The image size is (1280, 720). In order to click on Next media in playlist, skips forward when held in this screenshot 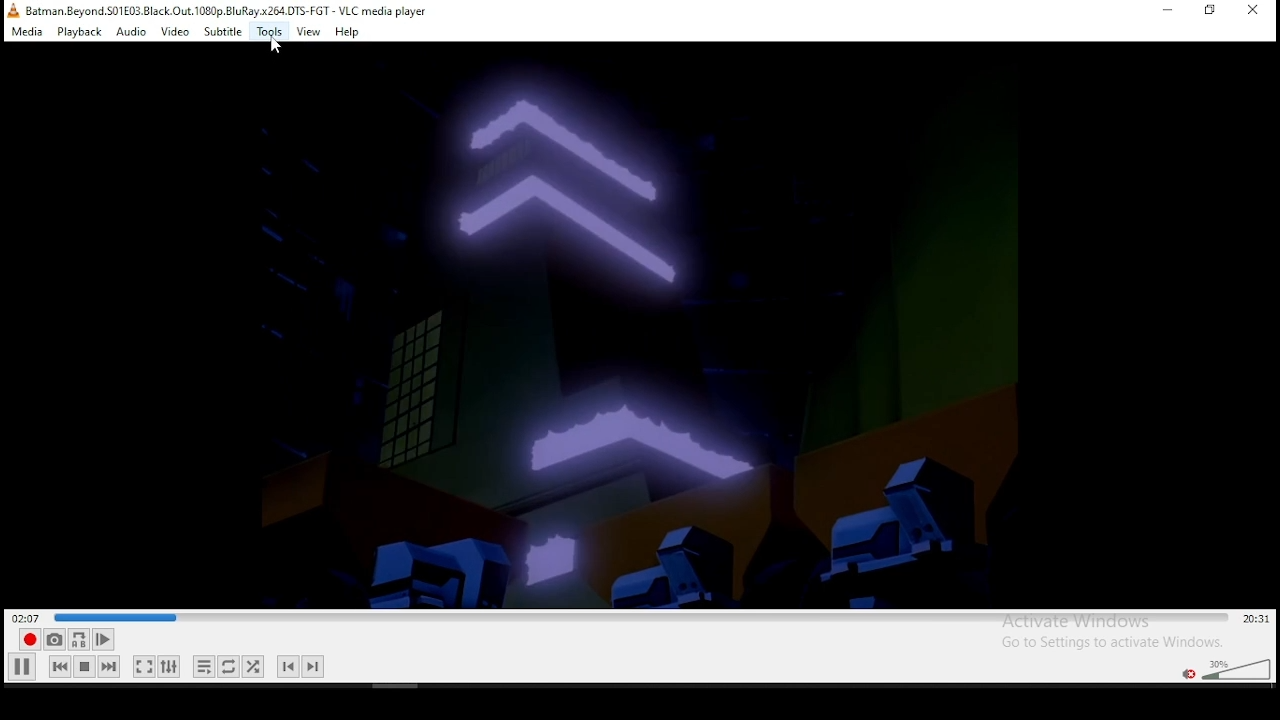, I will do `click(108, 667)`.